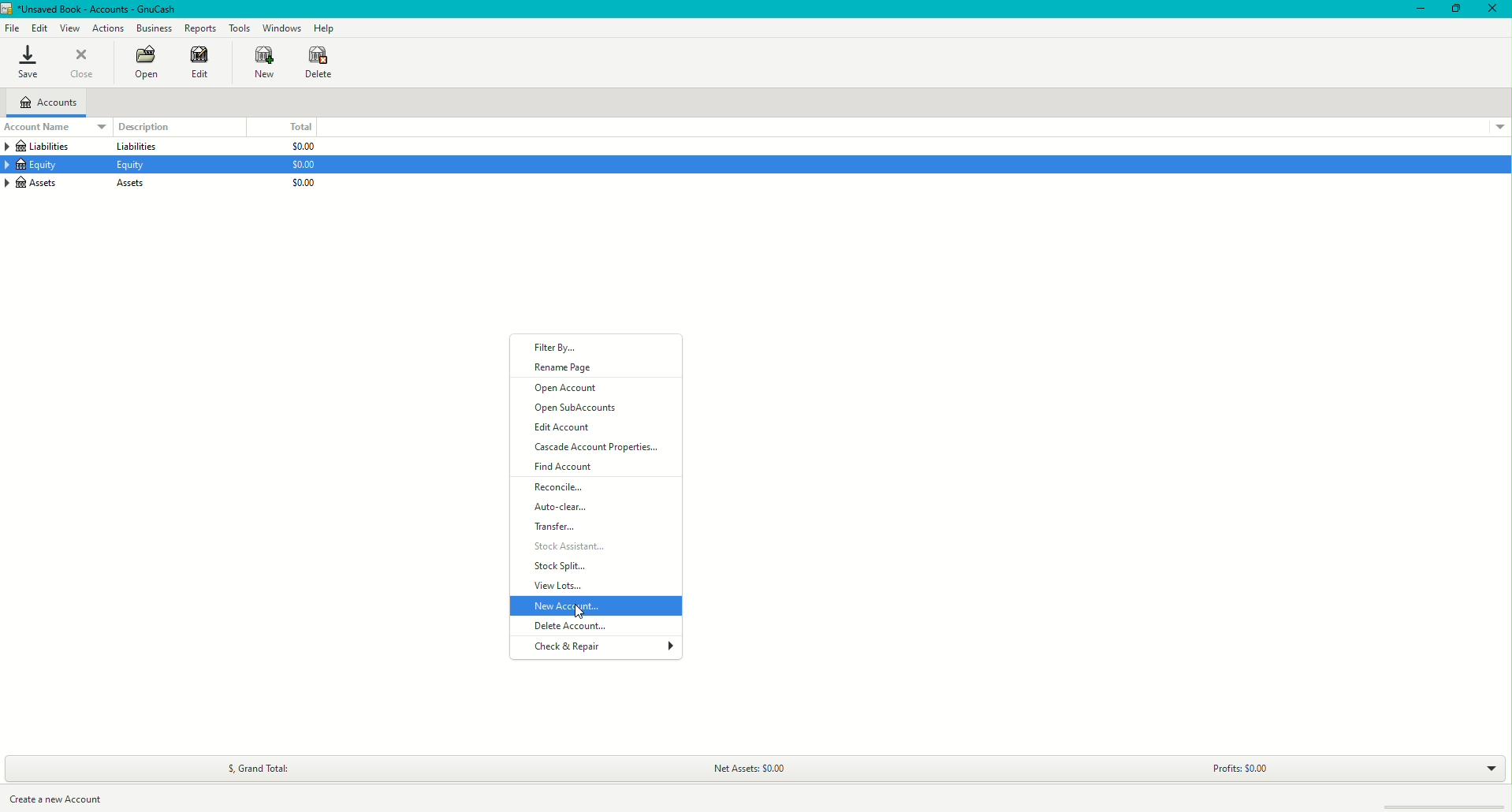  Describe the element at coordinates (552, 528) in the screenshot. I see `Transfer` at that location.